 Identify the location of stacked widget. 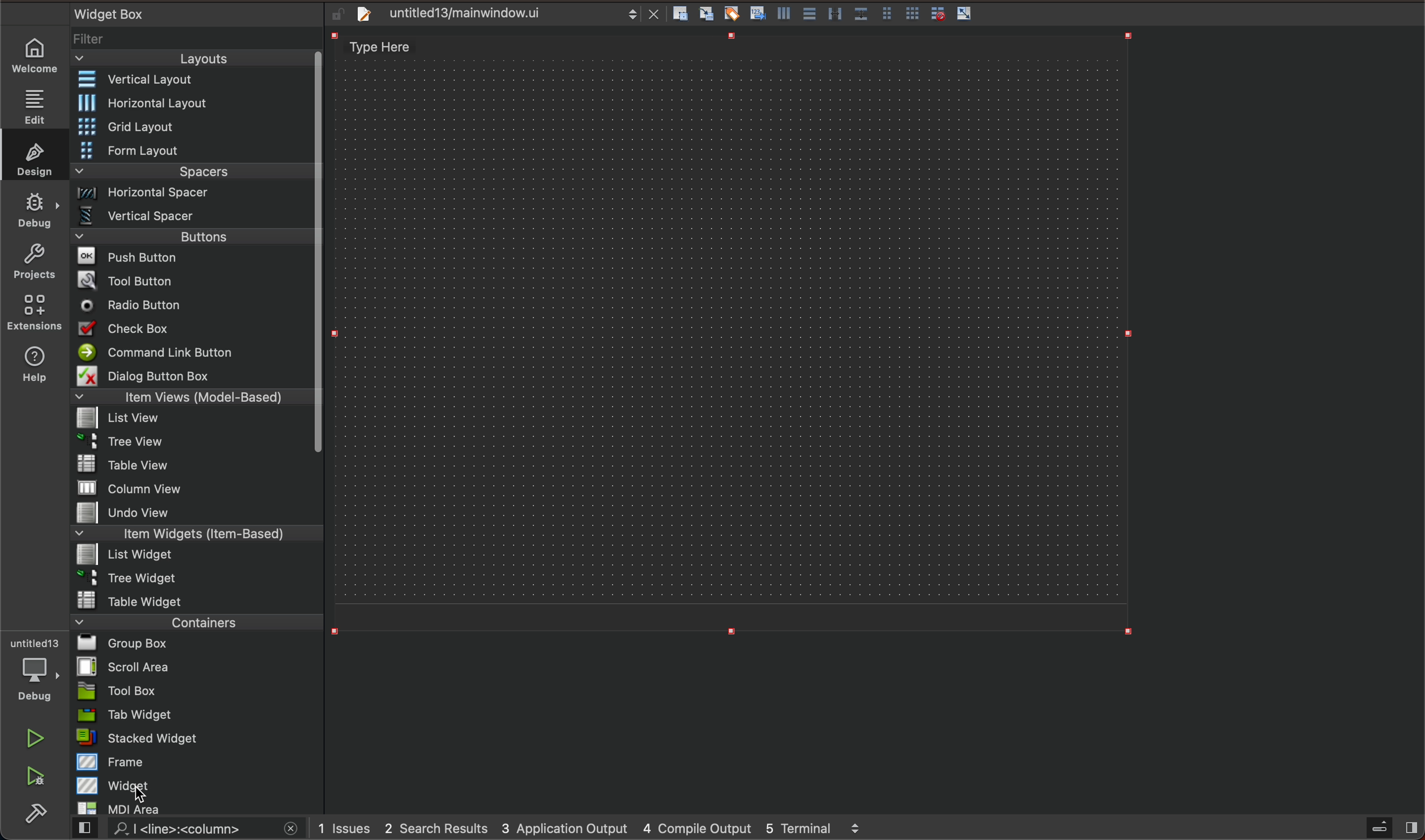
(194, 739).